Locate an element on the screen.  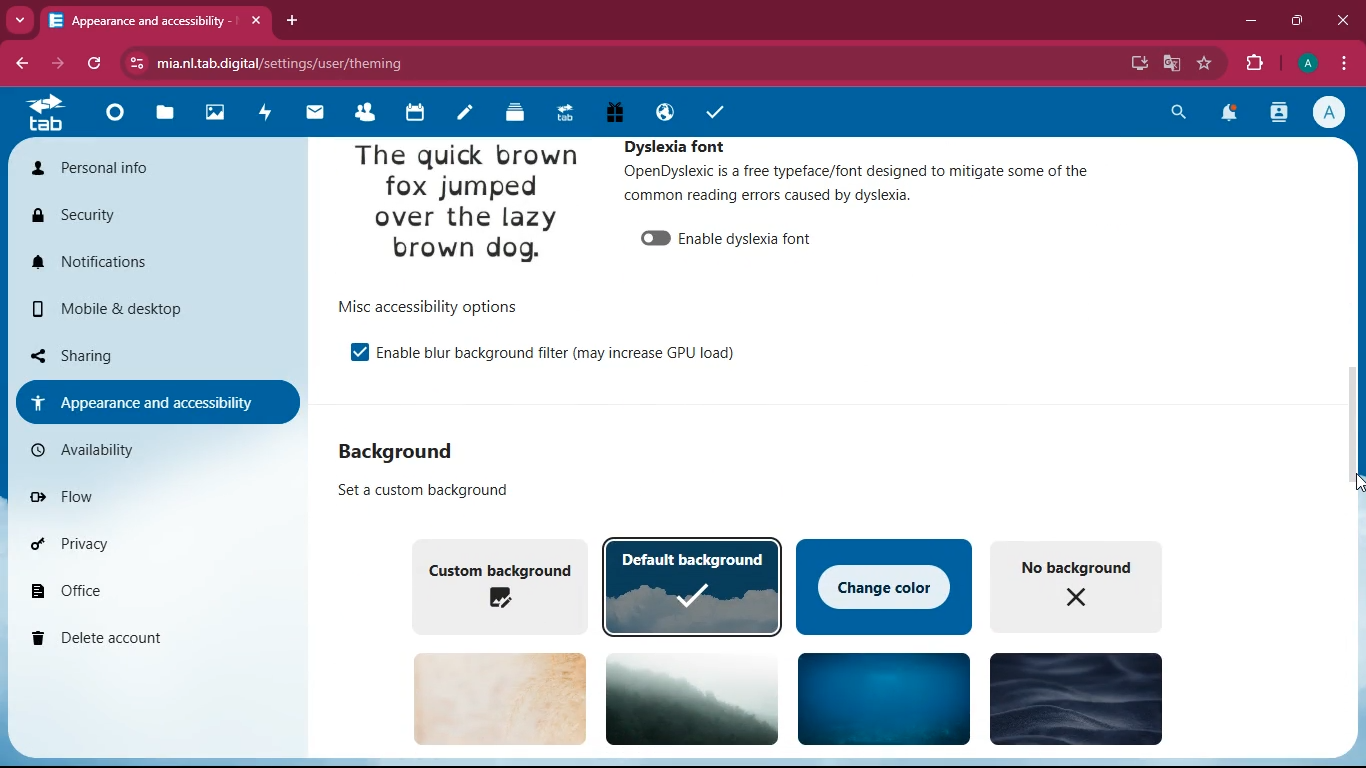
tab is located at coordinates (563, 113).